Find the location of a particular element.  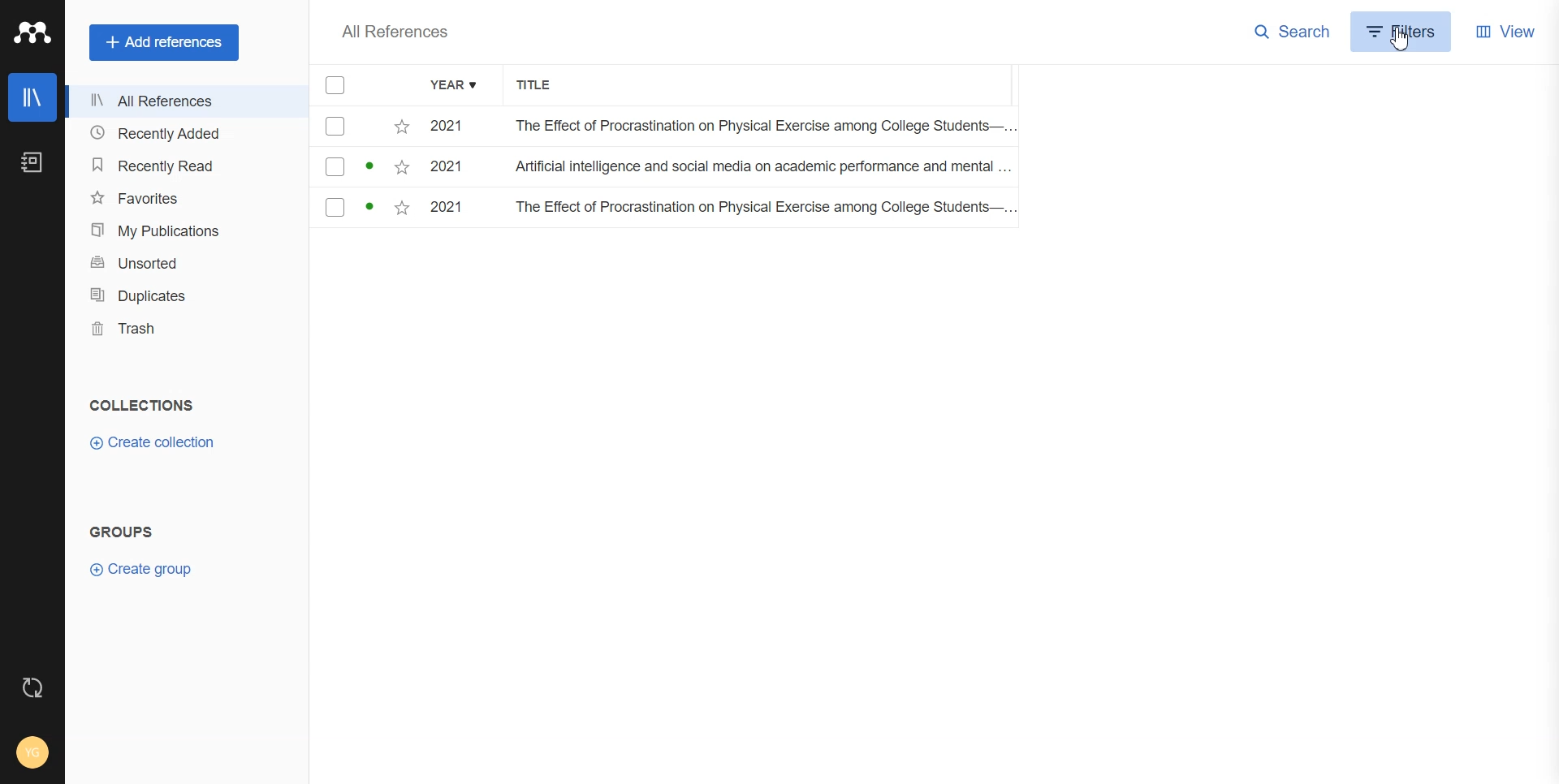

Duplicates is located at coordinates (186, 295).